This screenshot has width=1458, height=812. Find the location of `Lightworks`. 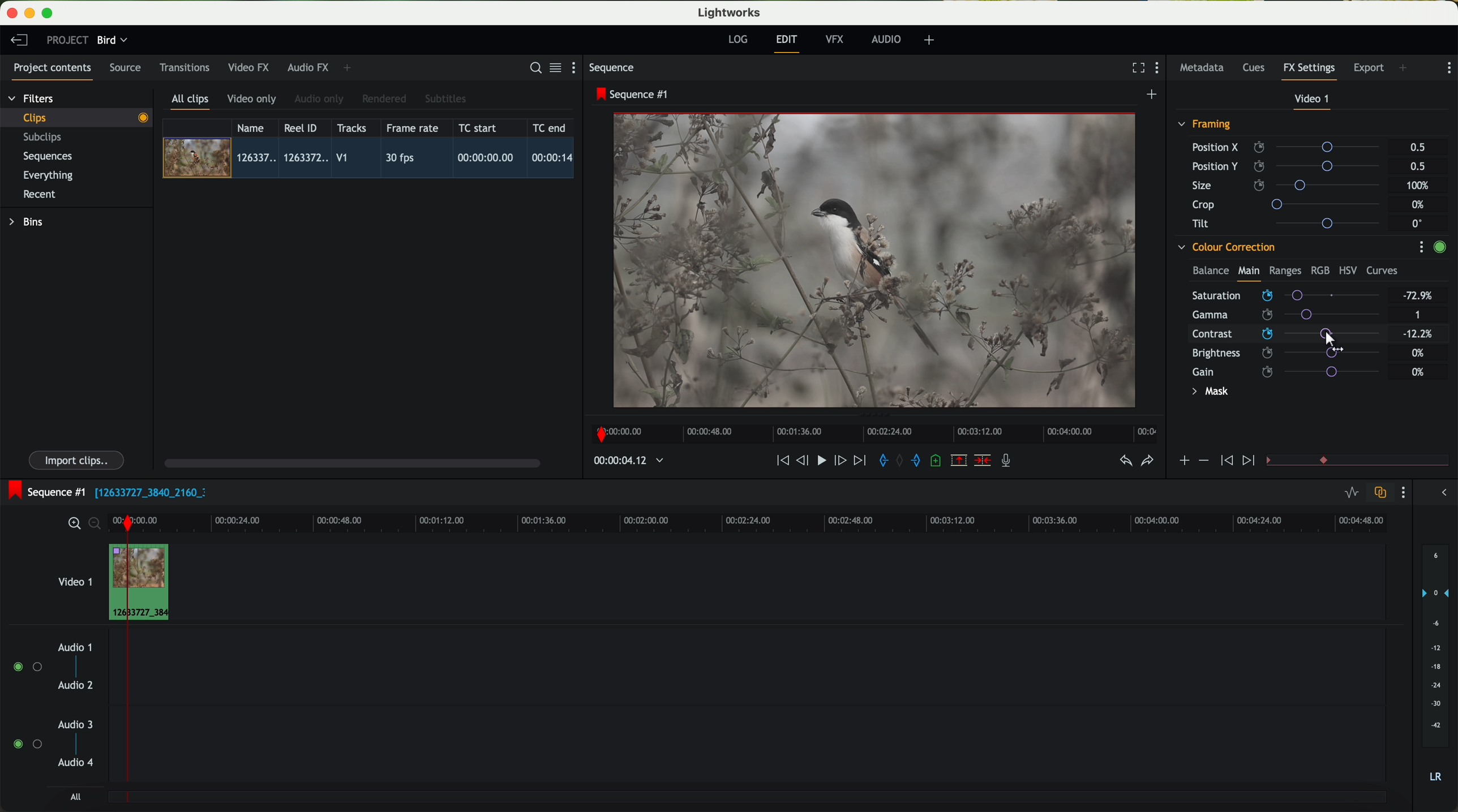

Lightworks is located at coordinates (730, 12).